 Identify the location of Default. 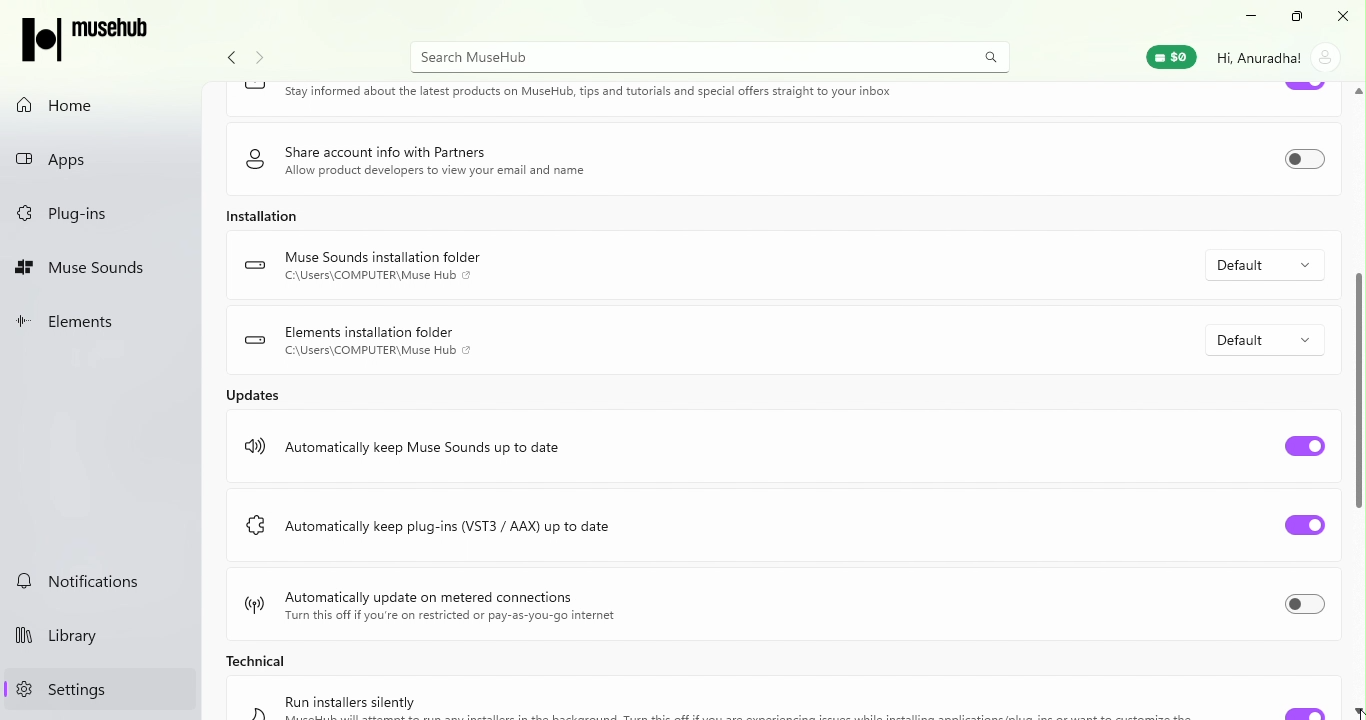
(1262, 339).